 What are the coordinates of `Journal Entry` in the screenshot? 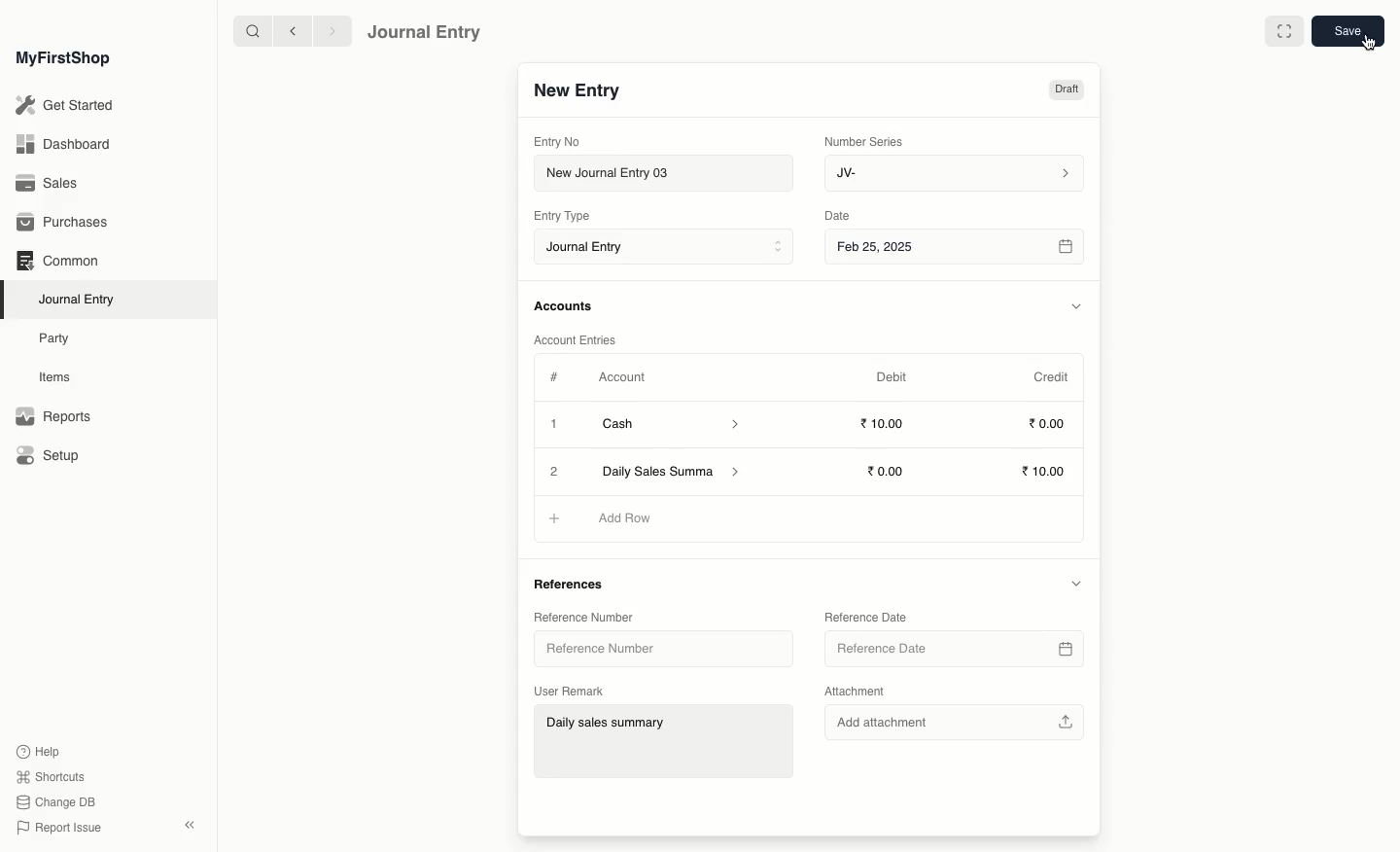 It's located at (669, 248).